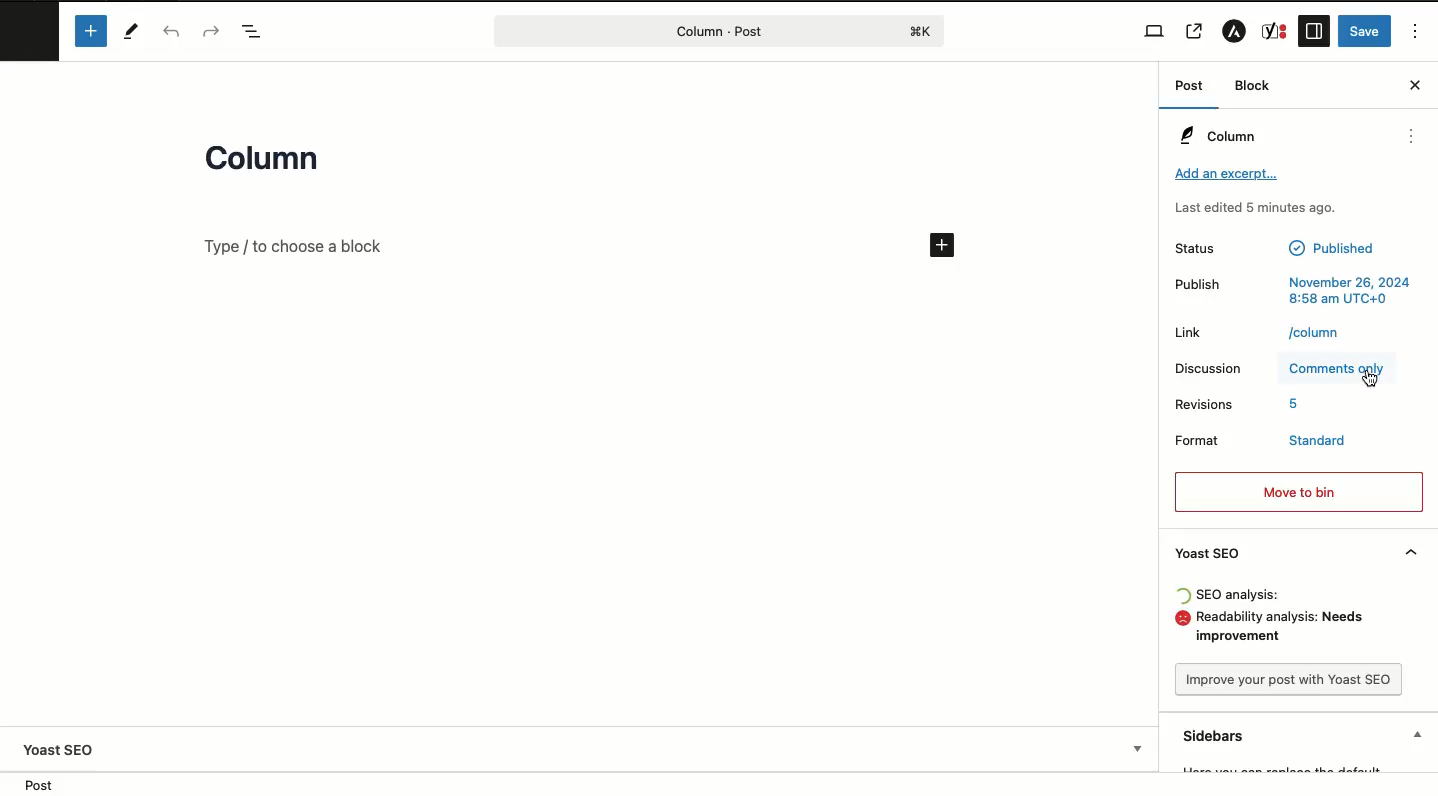  What do you see at coordinates (1370, 379) in the screenshot?
I see `cursor` at bounding box center [1370, 379].